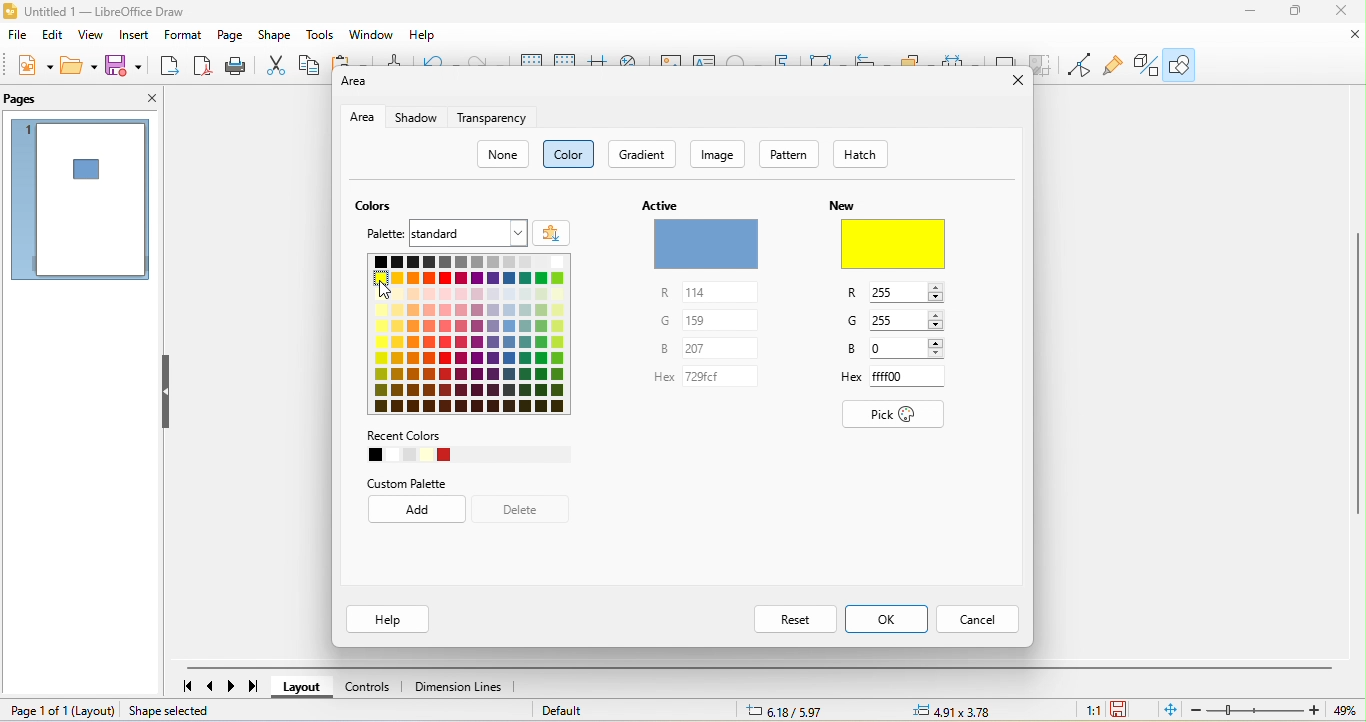  What do you see at coordinates (134, 38) in the screenshot?
I see `insert` at bounding box center [134, 38].